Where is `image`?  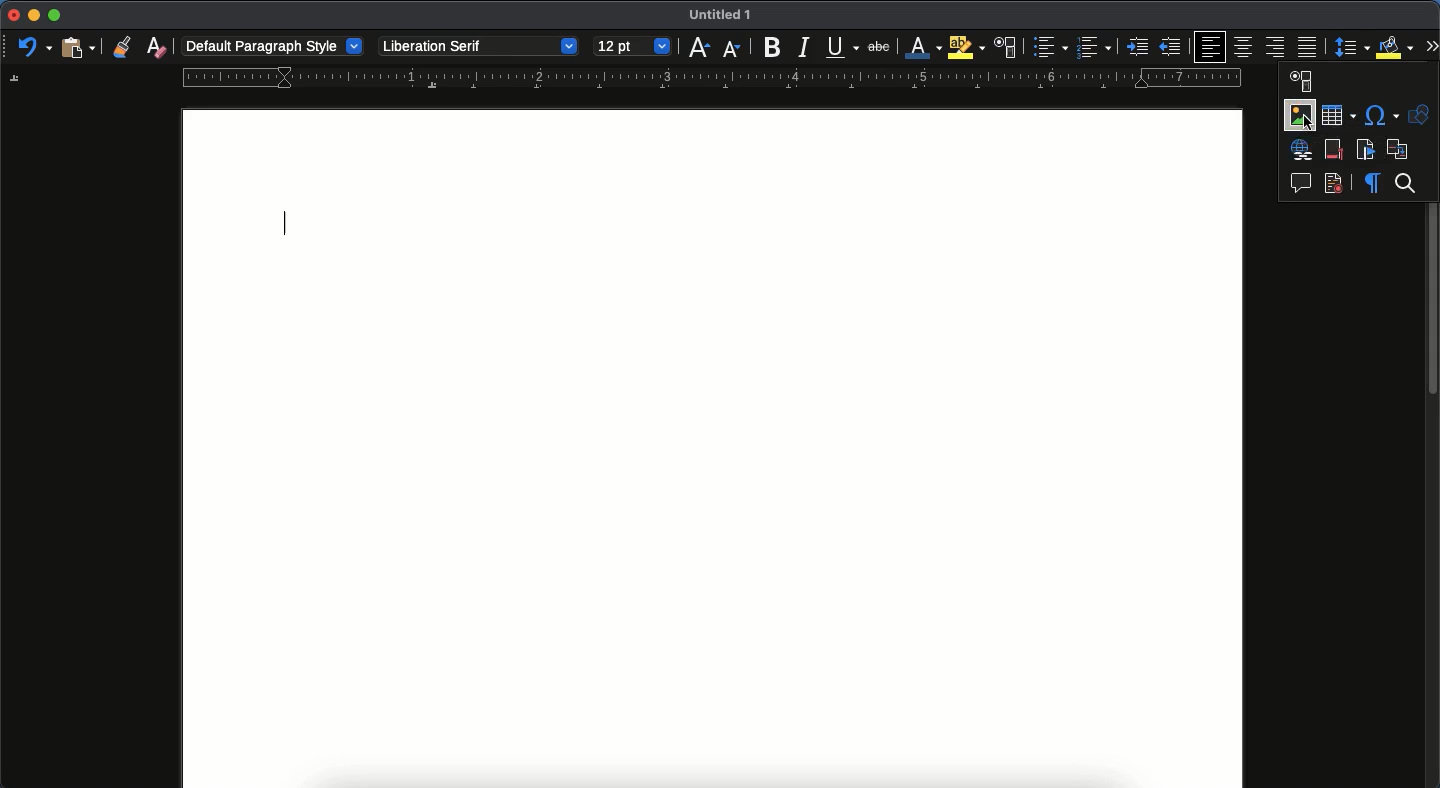 image is located at coordinates (1301, 108).